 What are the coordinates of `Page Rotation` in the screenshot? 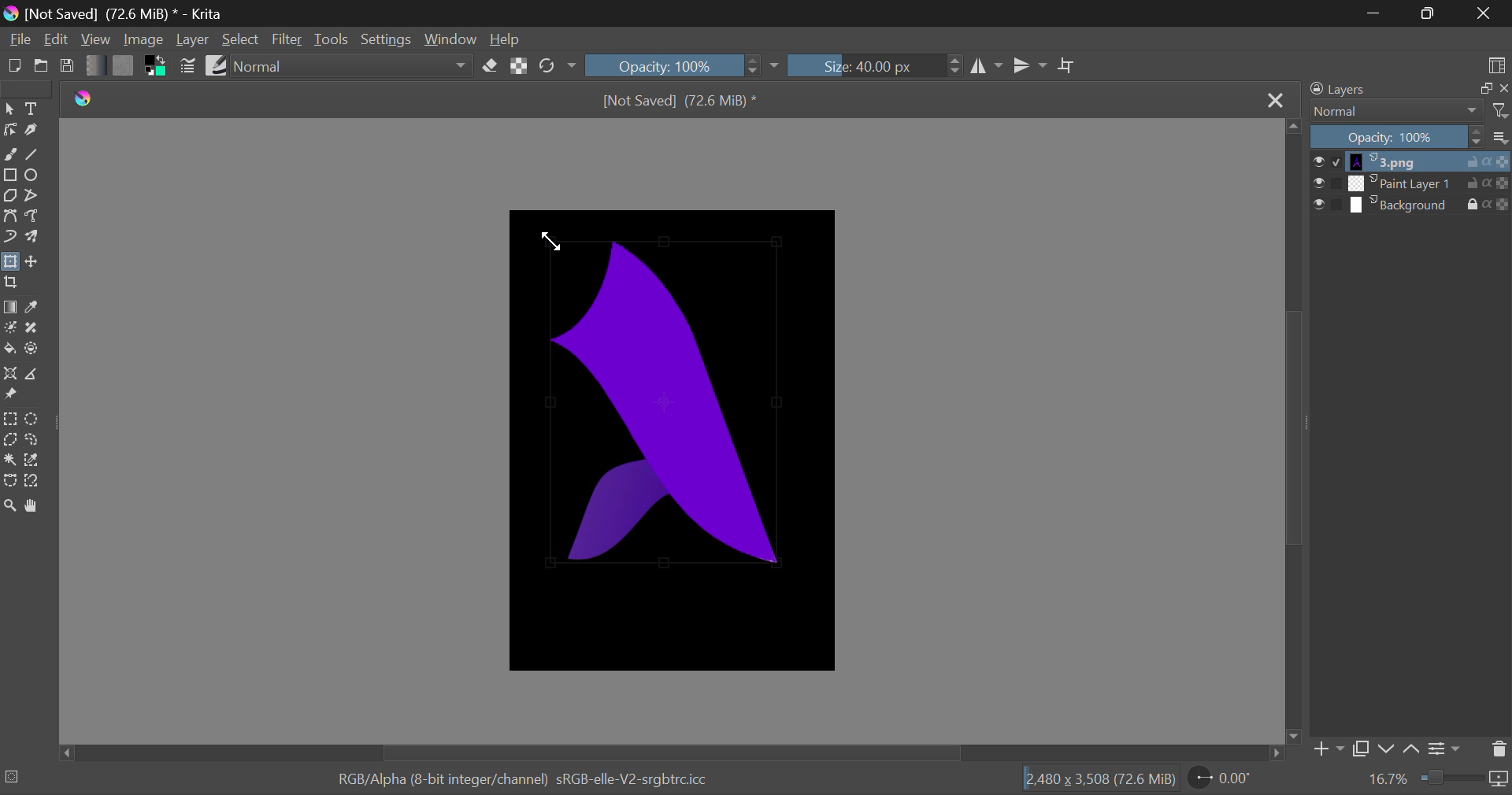 It's located at (1230, 778).